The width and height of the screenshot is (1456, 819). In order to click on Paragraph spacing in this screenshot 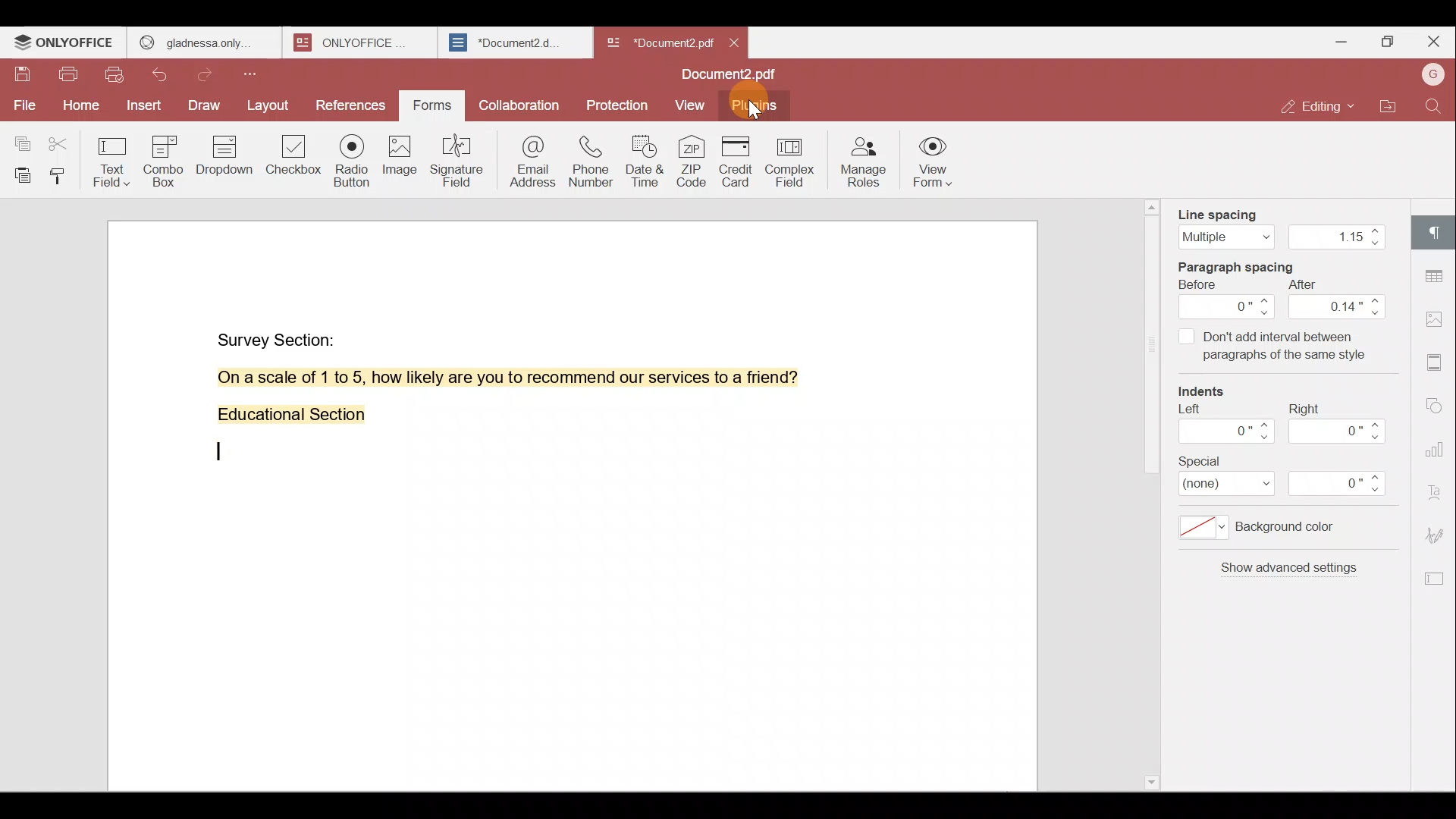, I will do `click(1250, 265)`.